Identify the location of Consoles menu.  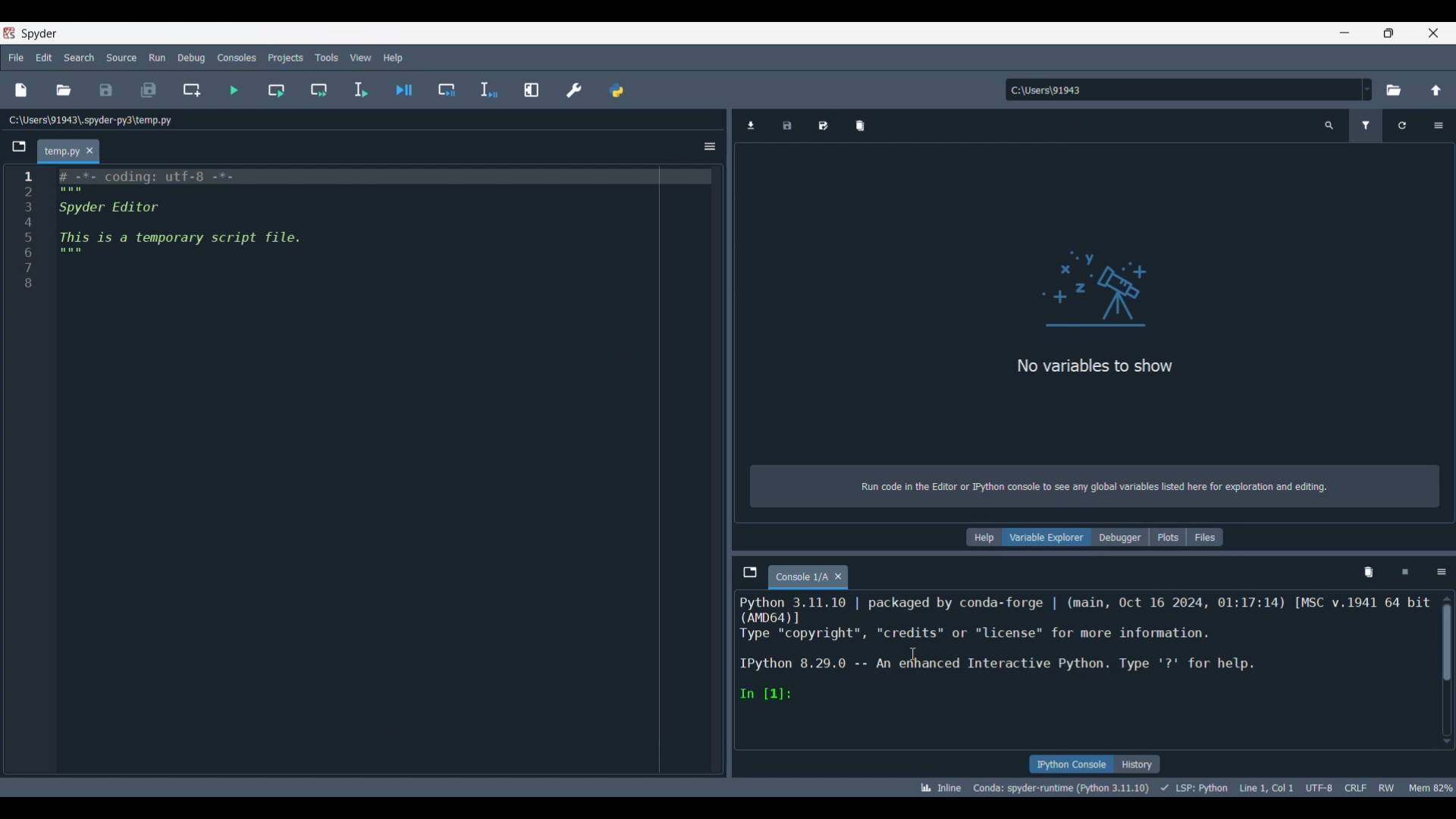
(237, 58).